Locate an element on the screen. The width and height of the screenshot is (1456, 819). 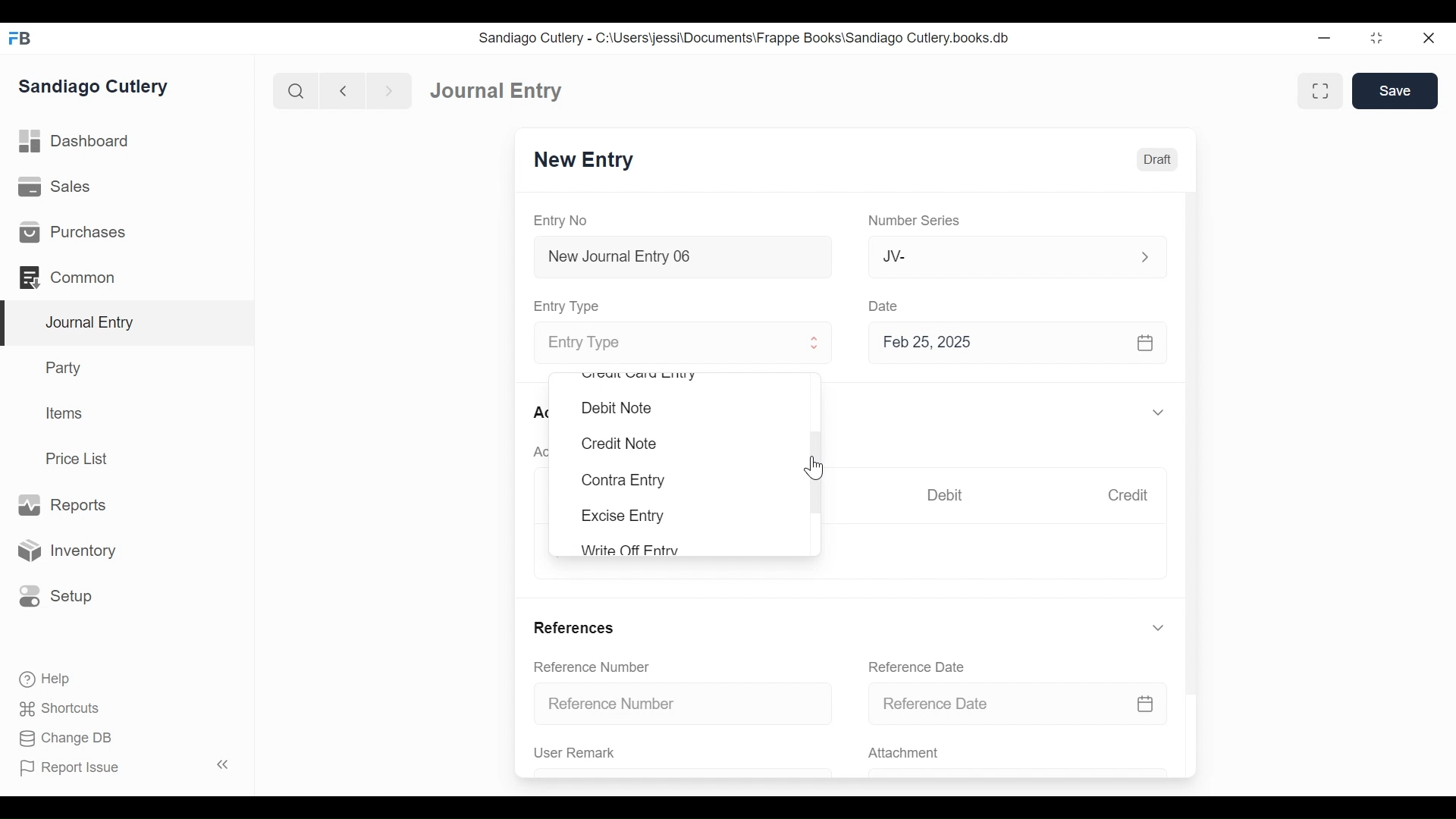
Navigate Forward is located at coordinates (390, 92).